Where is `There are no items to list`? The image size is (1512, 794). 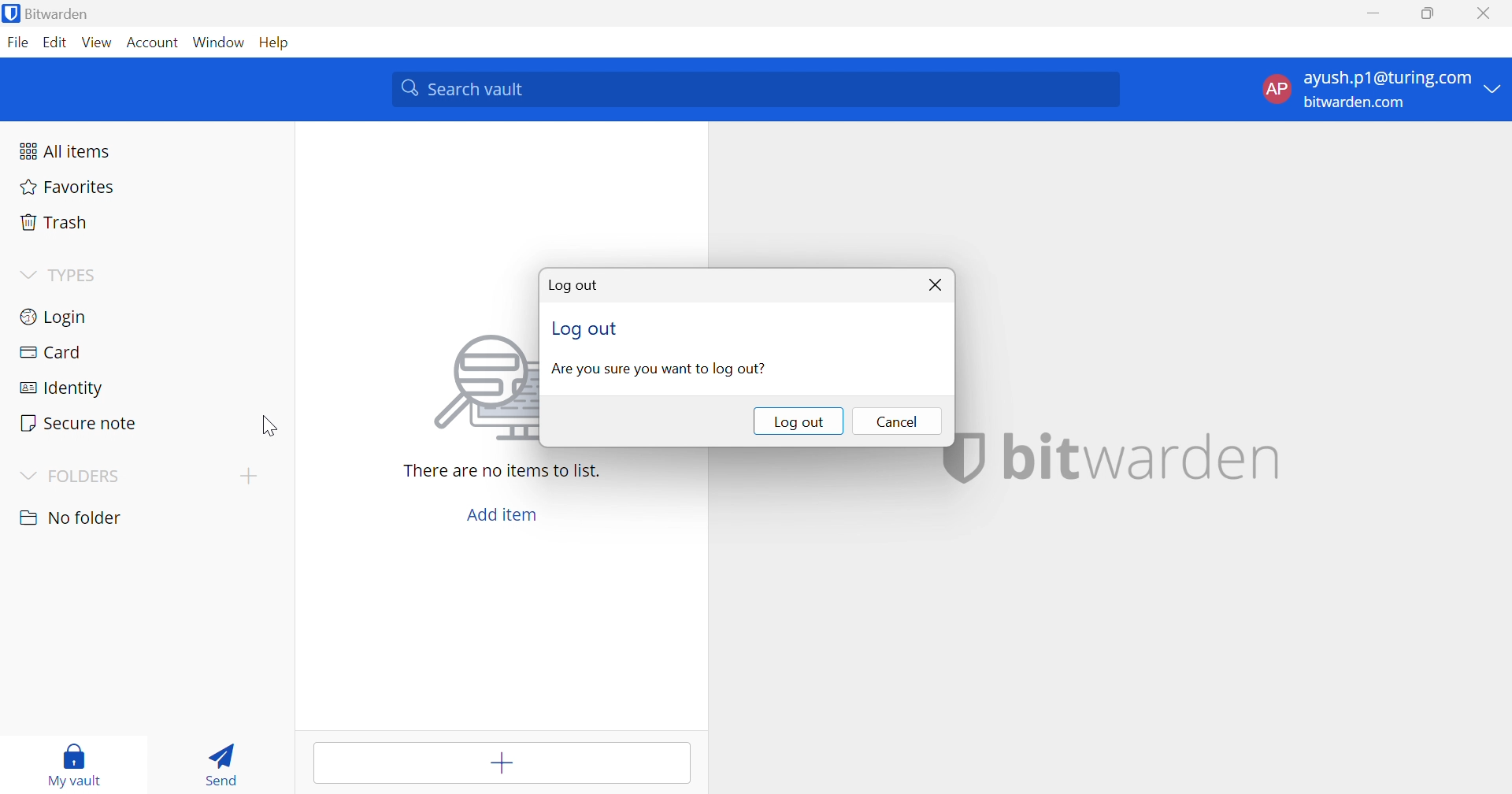 There are no items to list is located at coordinates (500, 471).